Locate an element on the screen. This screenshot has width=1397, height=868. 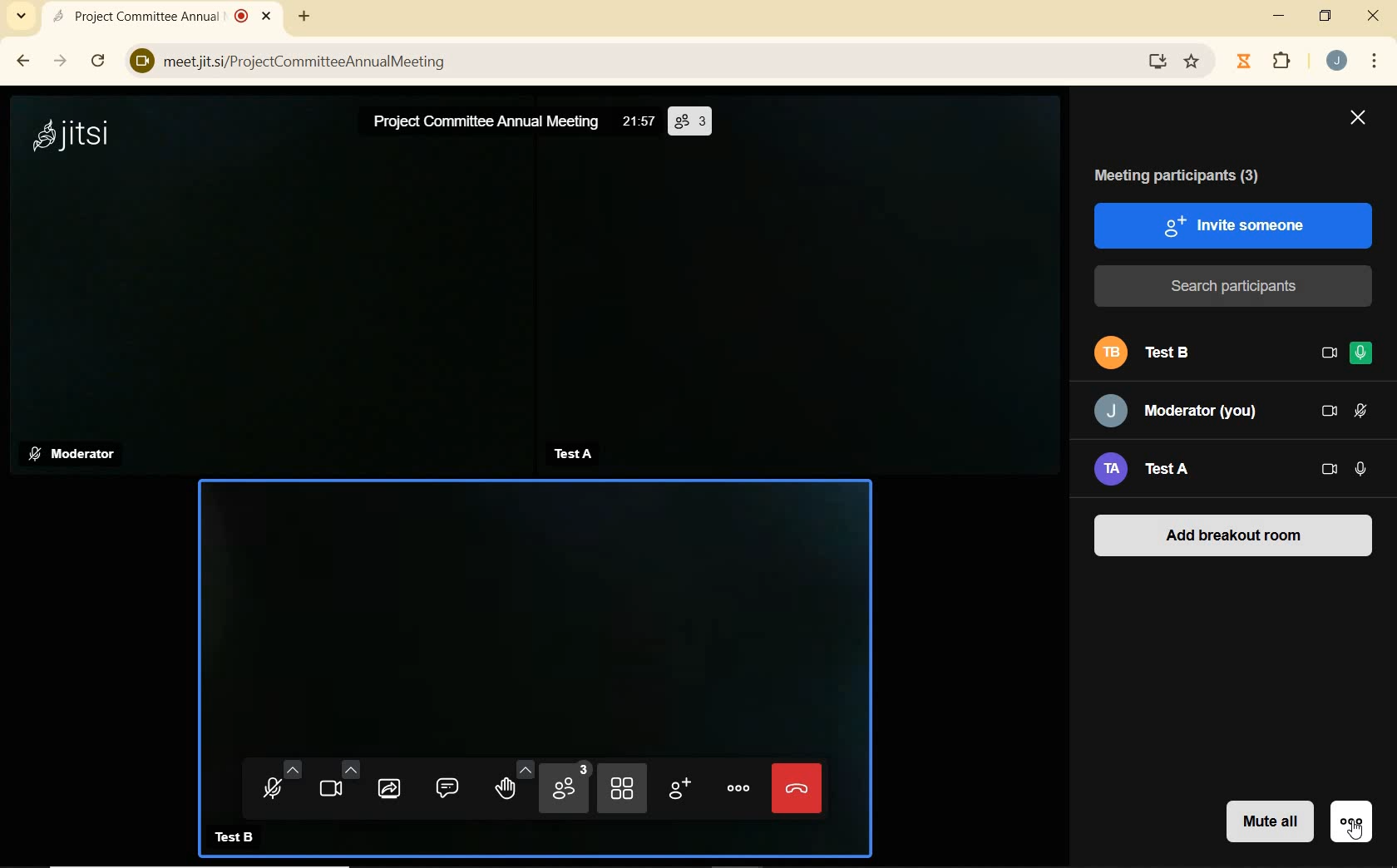
EXTENSION is located at coordinates (1281, 60).